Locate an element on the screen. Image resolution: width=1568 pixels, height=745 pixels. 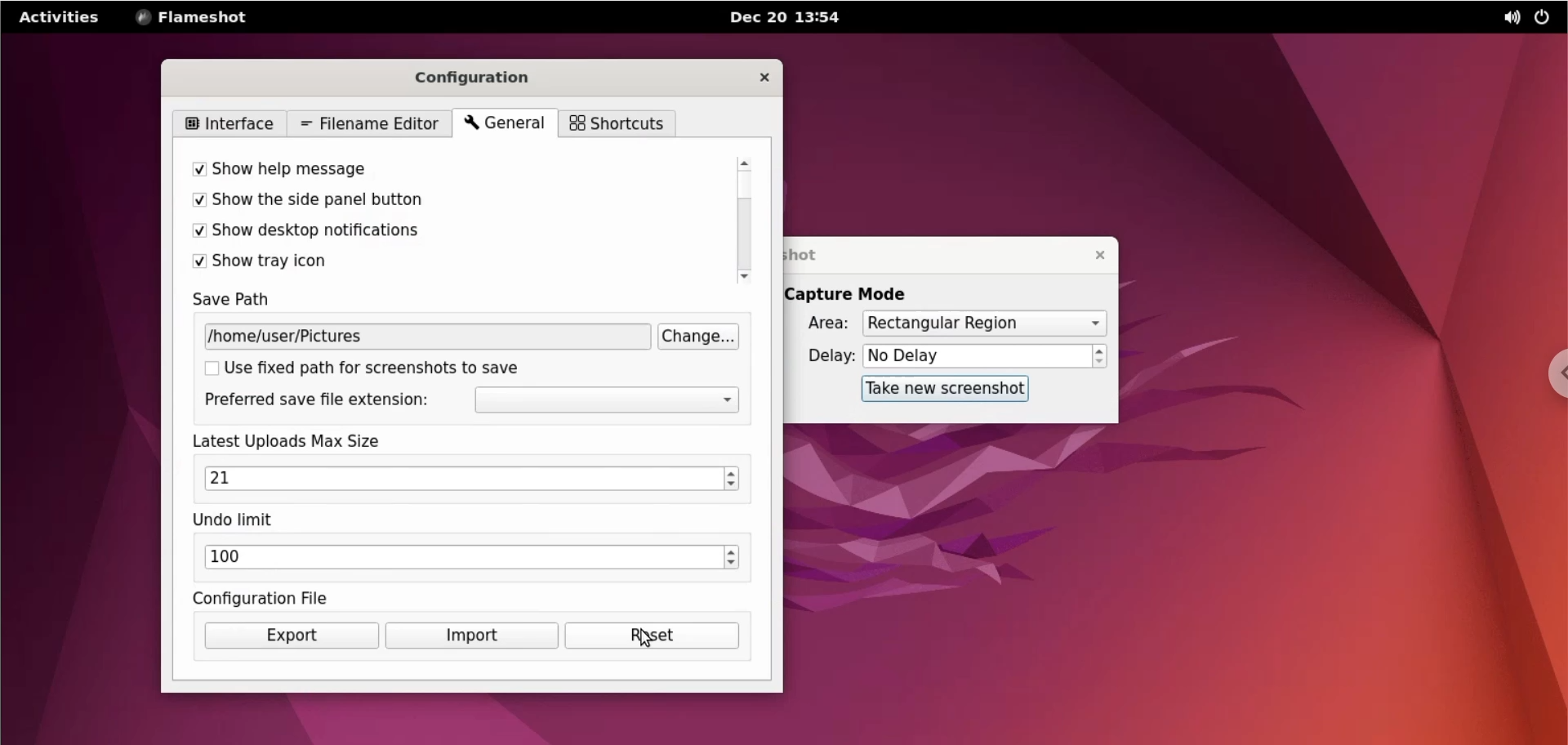
increment and decrement  is located at coordinates (733, 560).